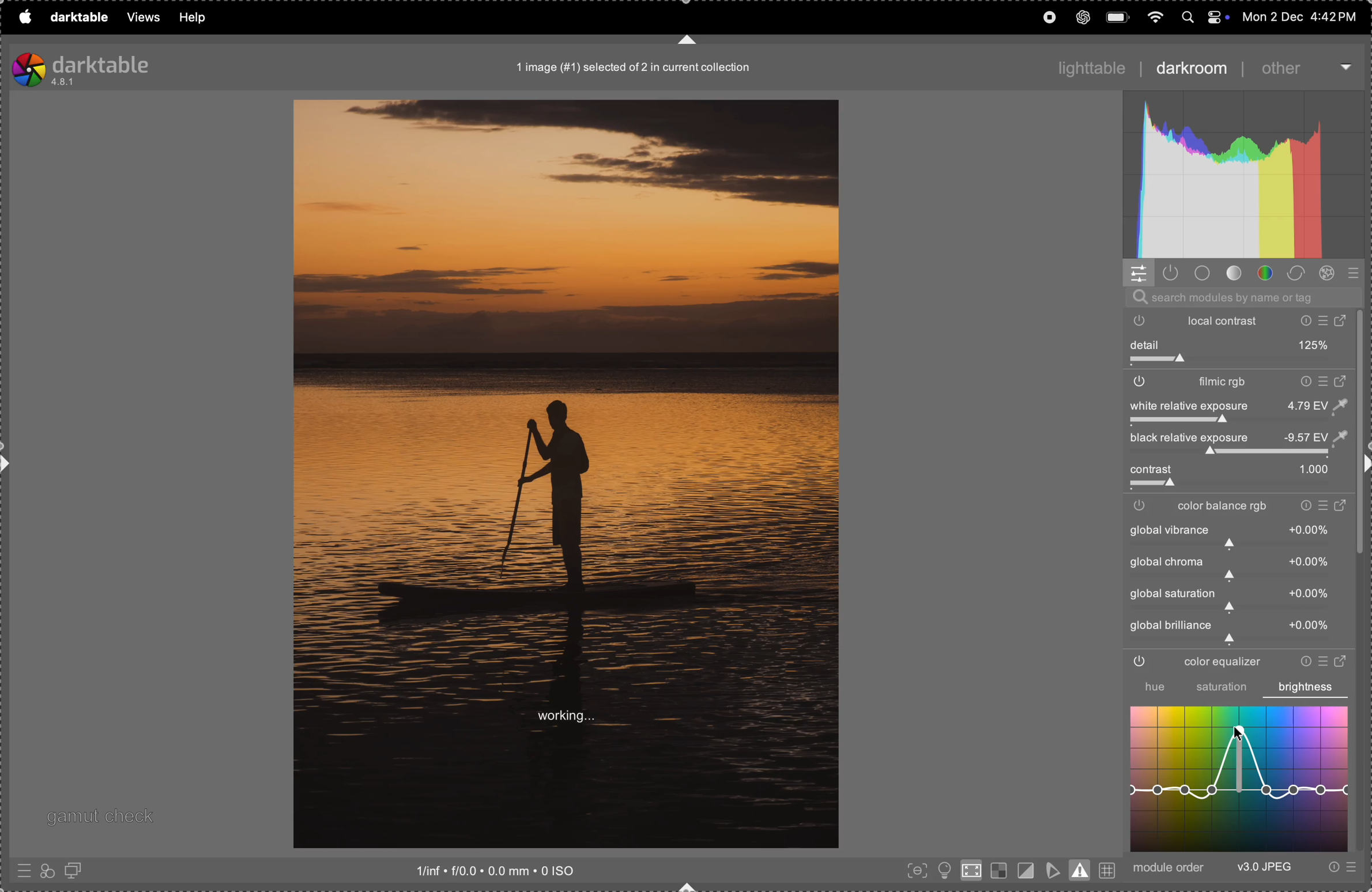 The width and height of the screenshot is (1372, 892). What do you see at coordinates (1173, 274) in the screenshot?
I see `show active modules` at bounding box center [1173, 274].